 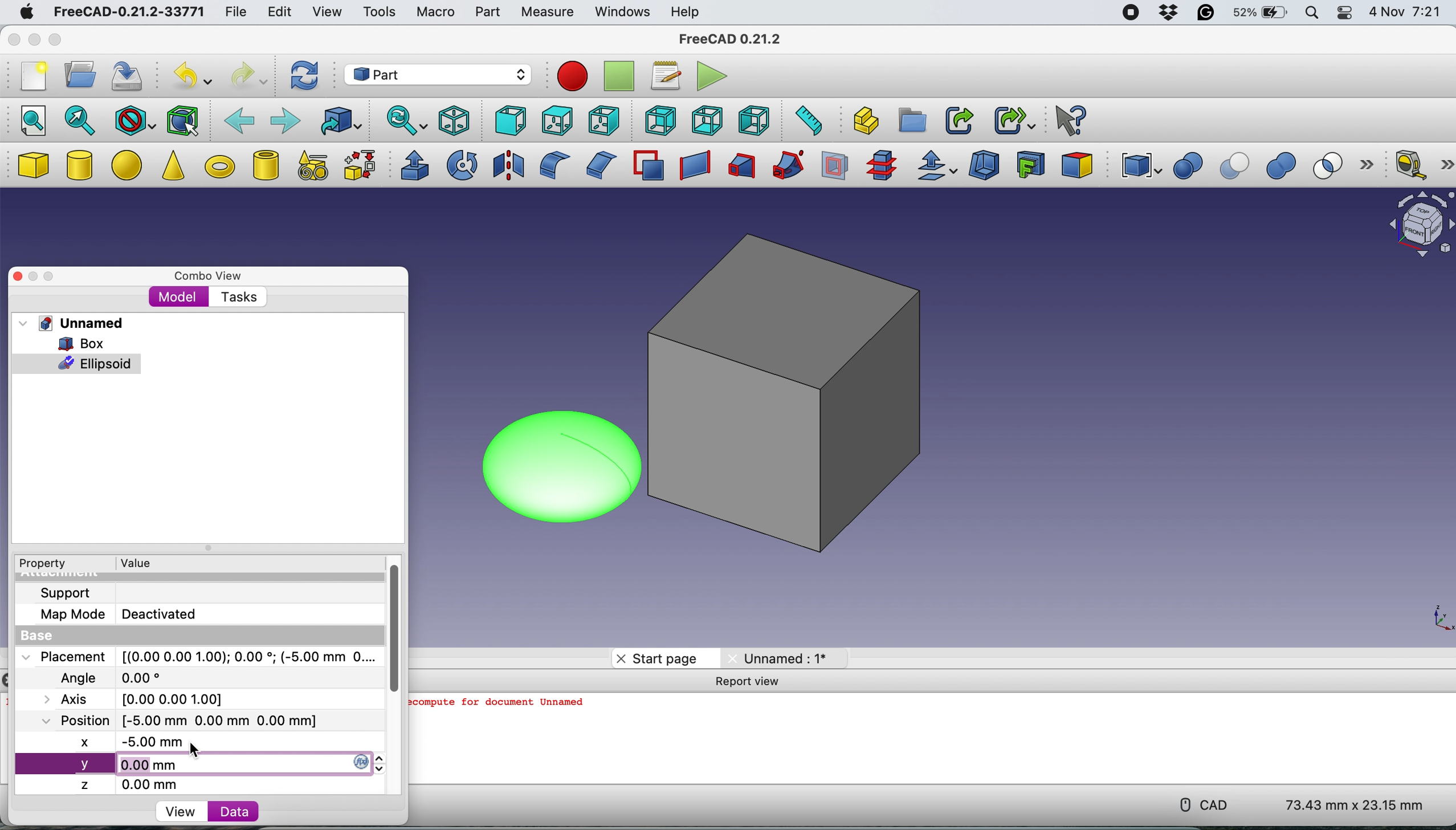 What do you see at coordinates (265, 165) in the screenshot?
I see `create tube` at bounding box center [265, 165].